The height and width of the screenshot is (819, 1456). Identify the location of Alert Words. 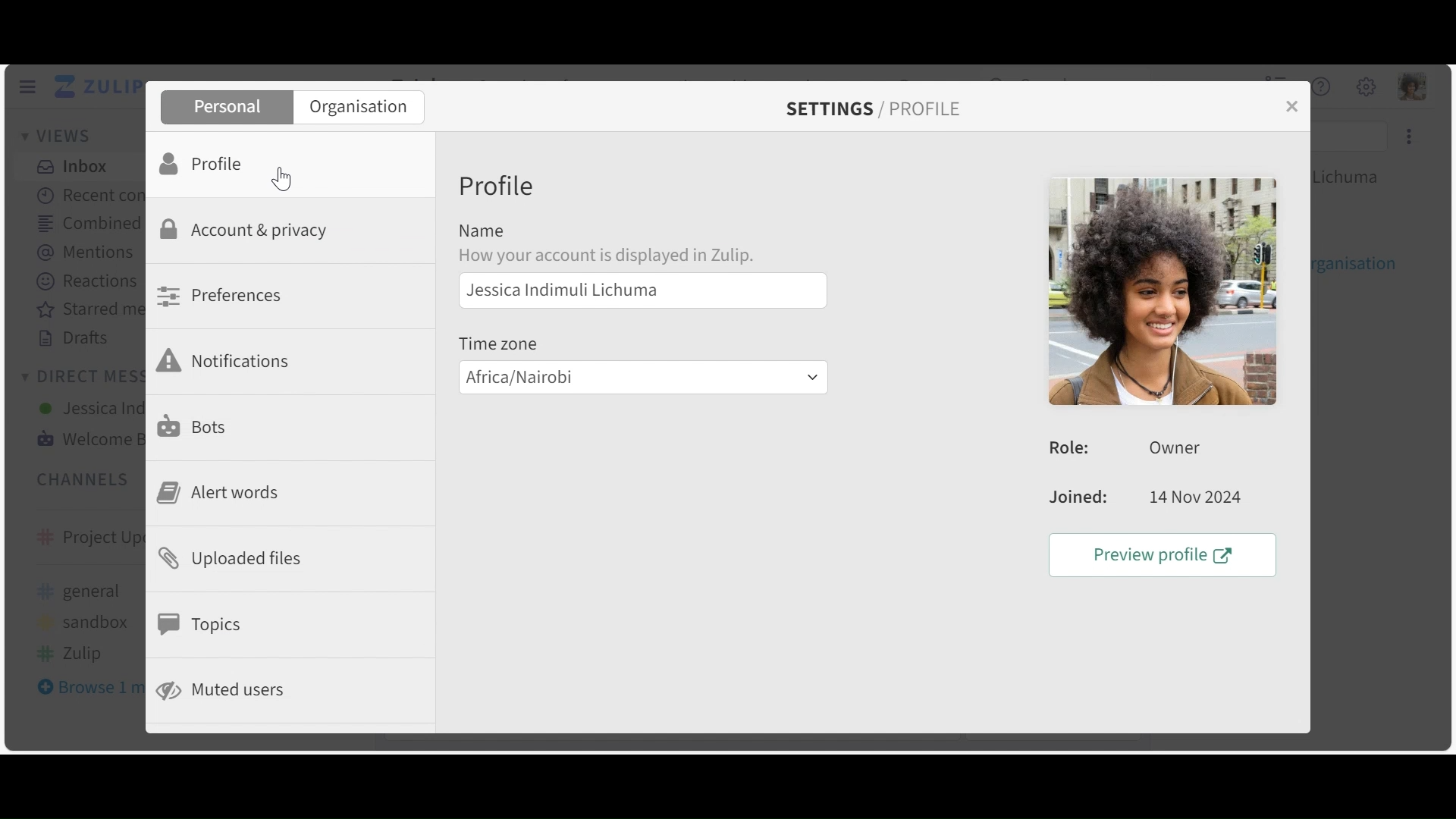
(215, 491).